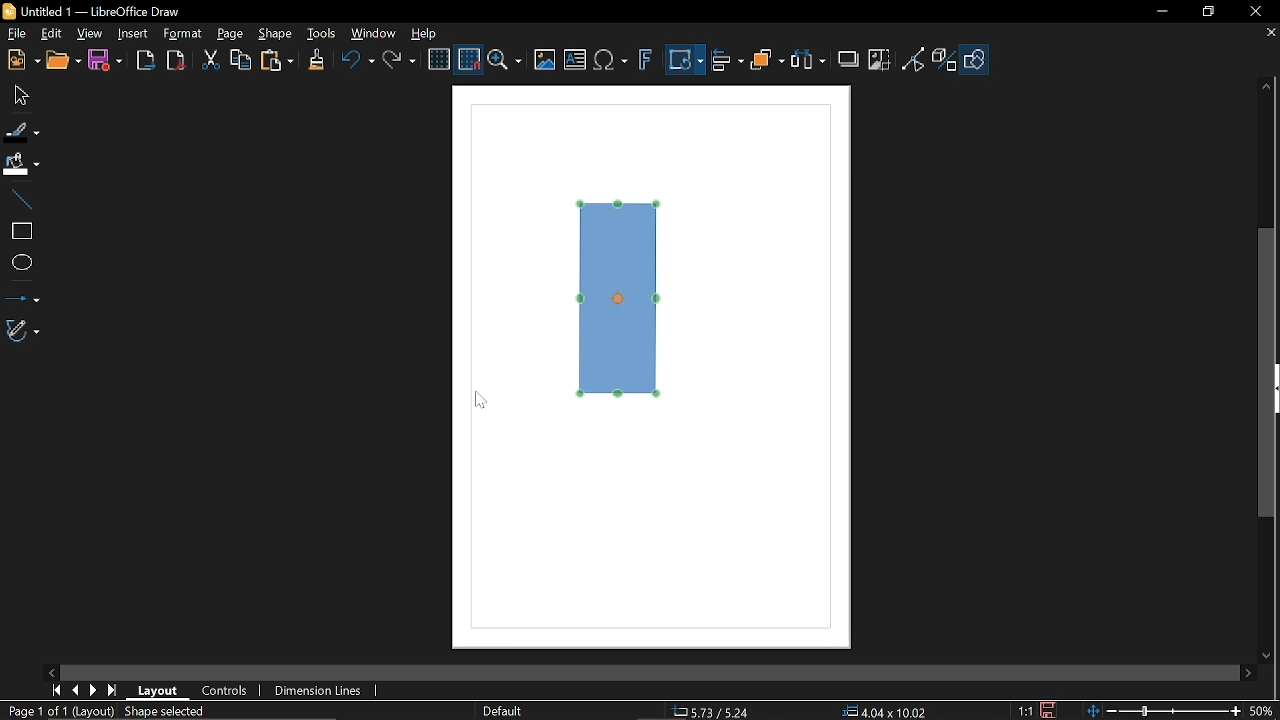 This screenshot has width=1280, height=720. Describe the element at coordinates (1254, 11) in the screenshot. I see `Close window` at that location.